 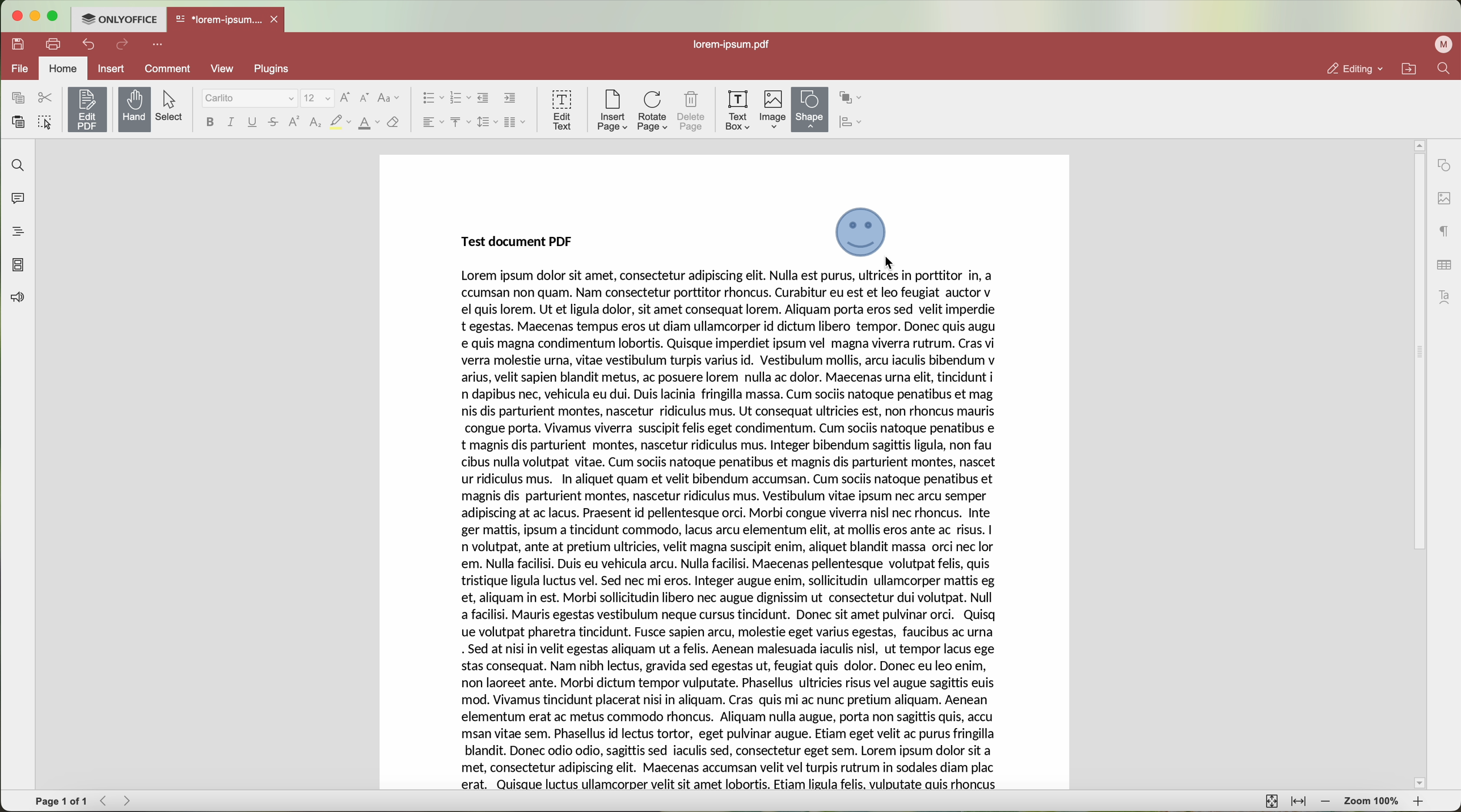 I want to click on align shape, so click(x=856, y=123).